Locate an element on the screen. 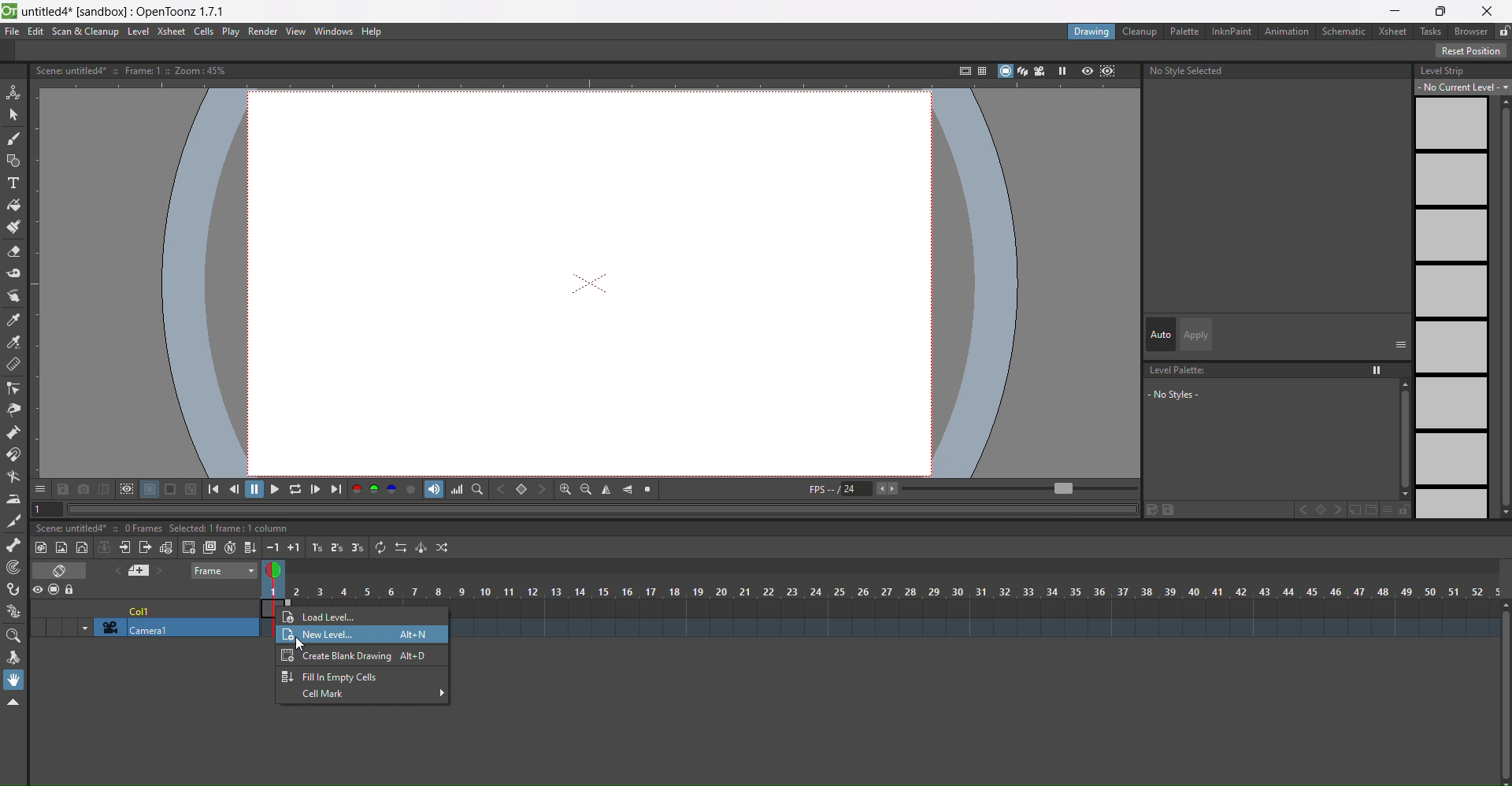 Image resolution: width=1512 pixels, height=786 pixels. new level is located at coordinates (321, 636).